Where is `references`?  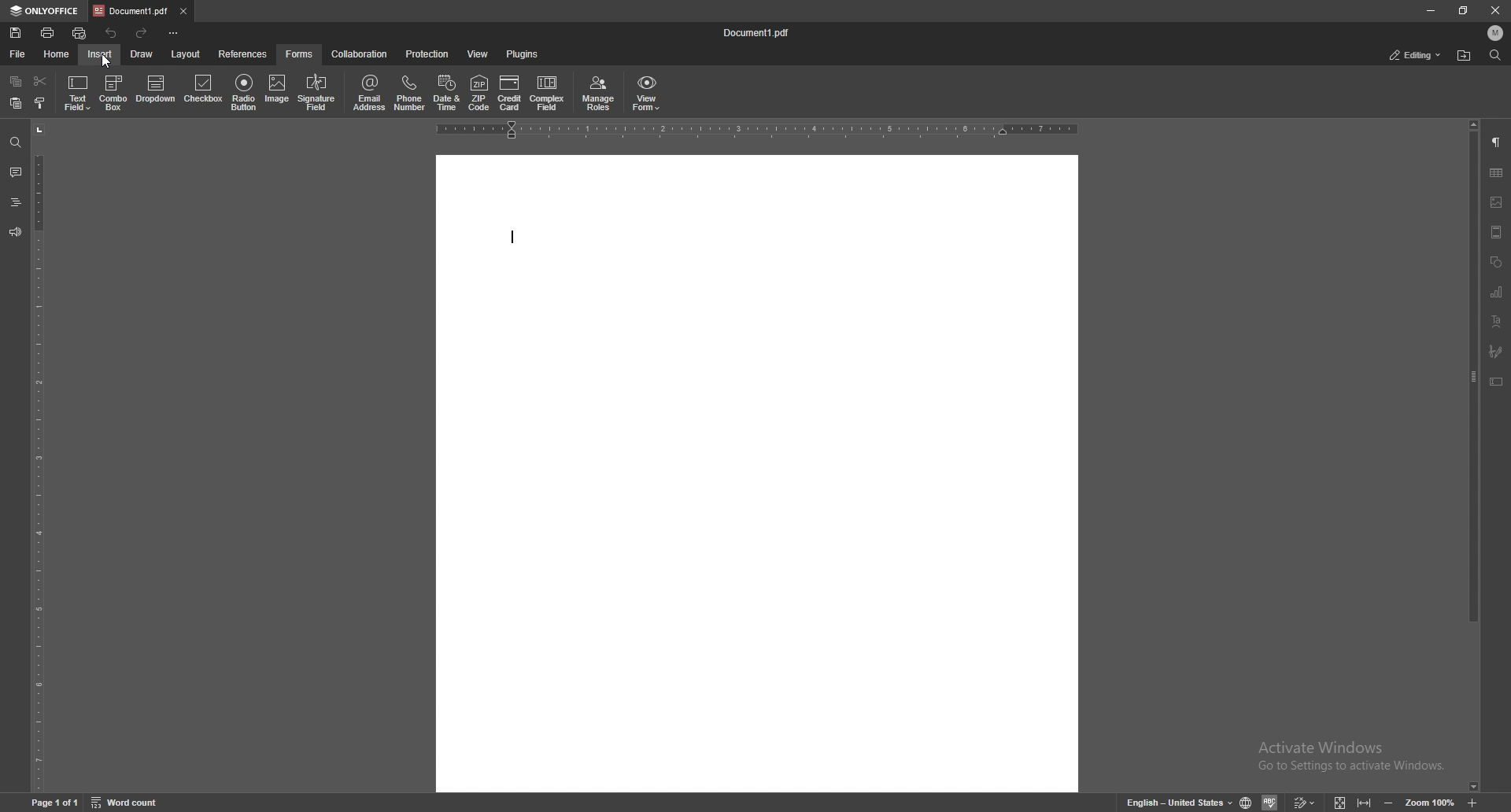 references is located at coordinates (244, 54).